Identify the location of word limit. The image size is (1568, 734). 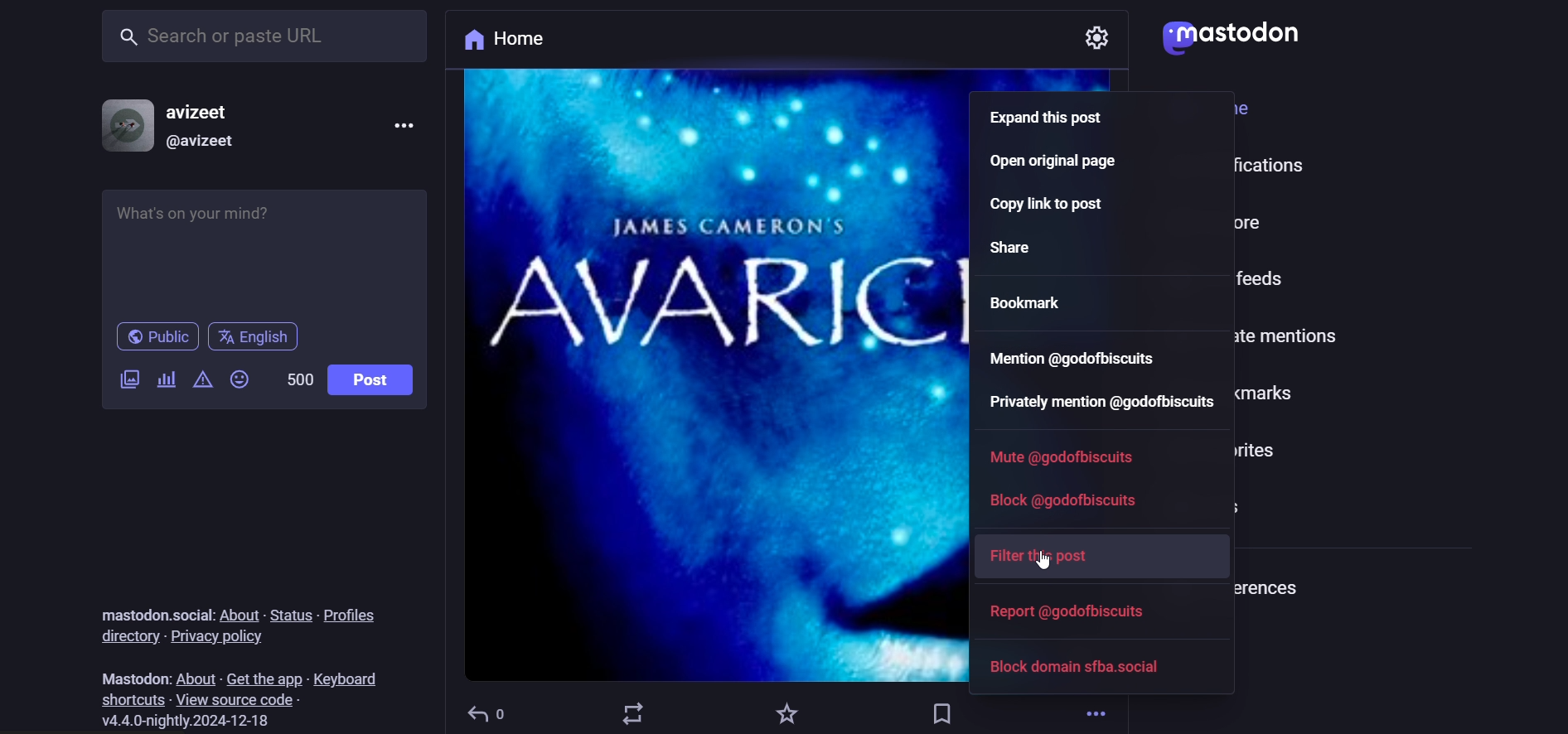
(300, 380).